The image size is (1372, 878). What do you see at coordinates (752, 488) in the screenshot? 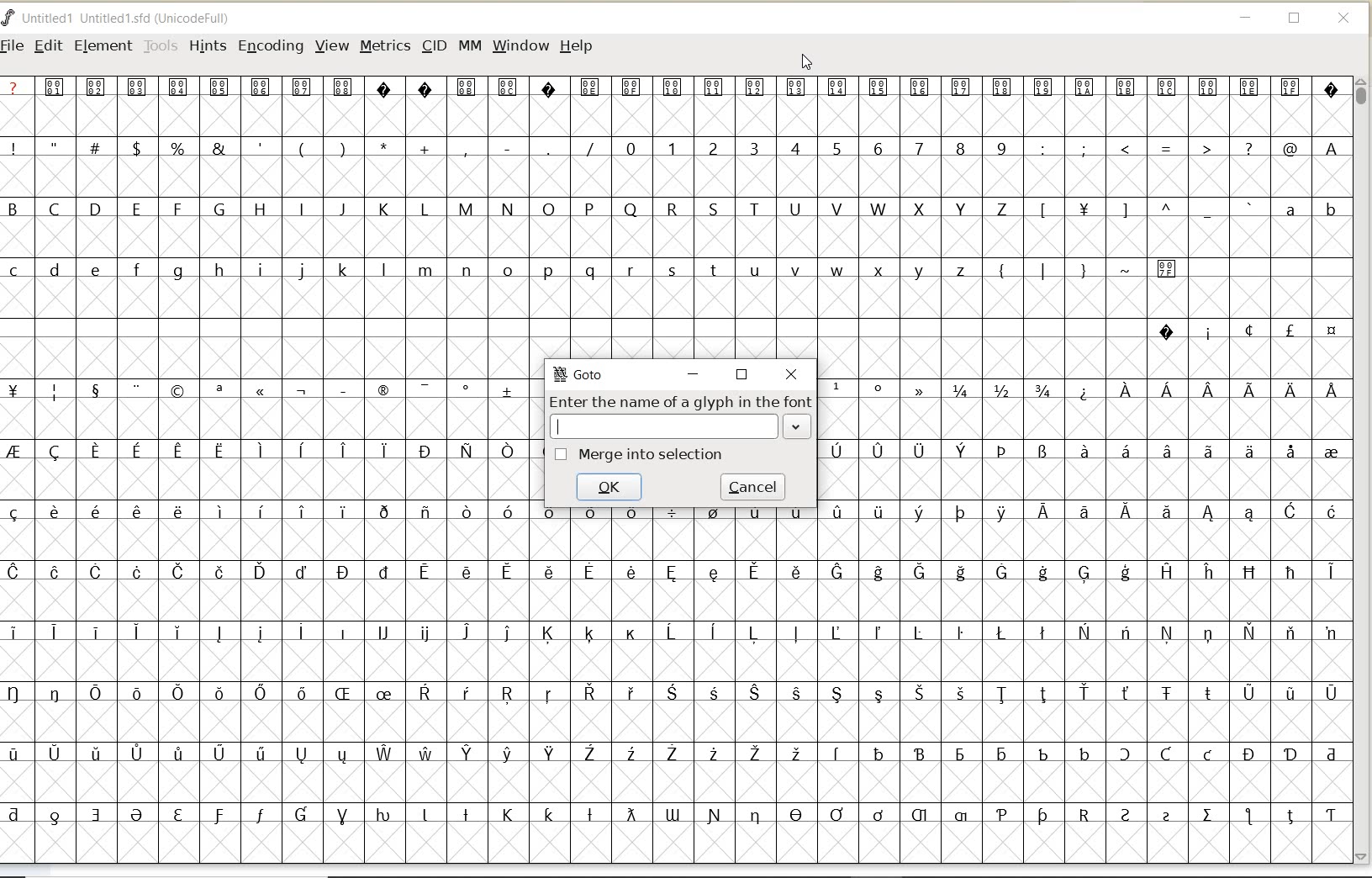
I see `cancel` at bounding box center [752, 488].